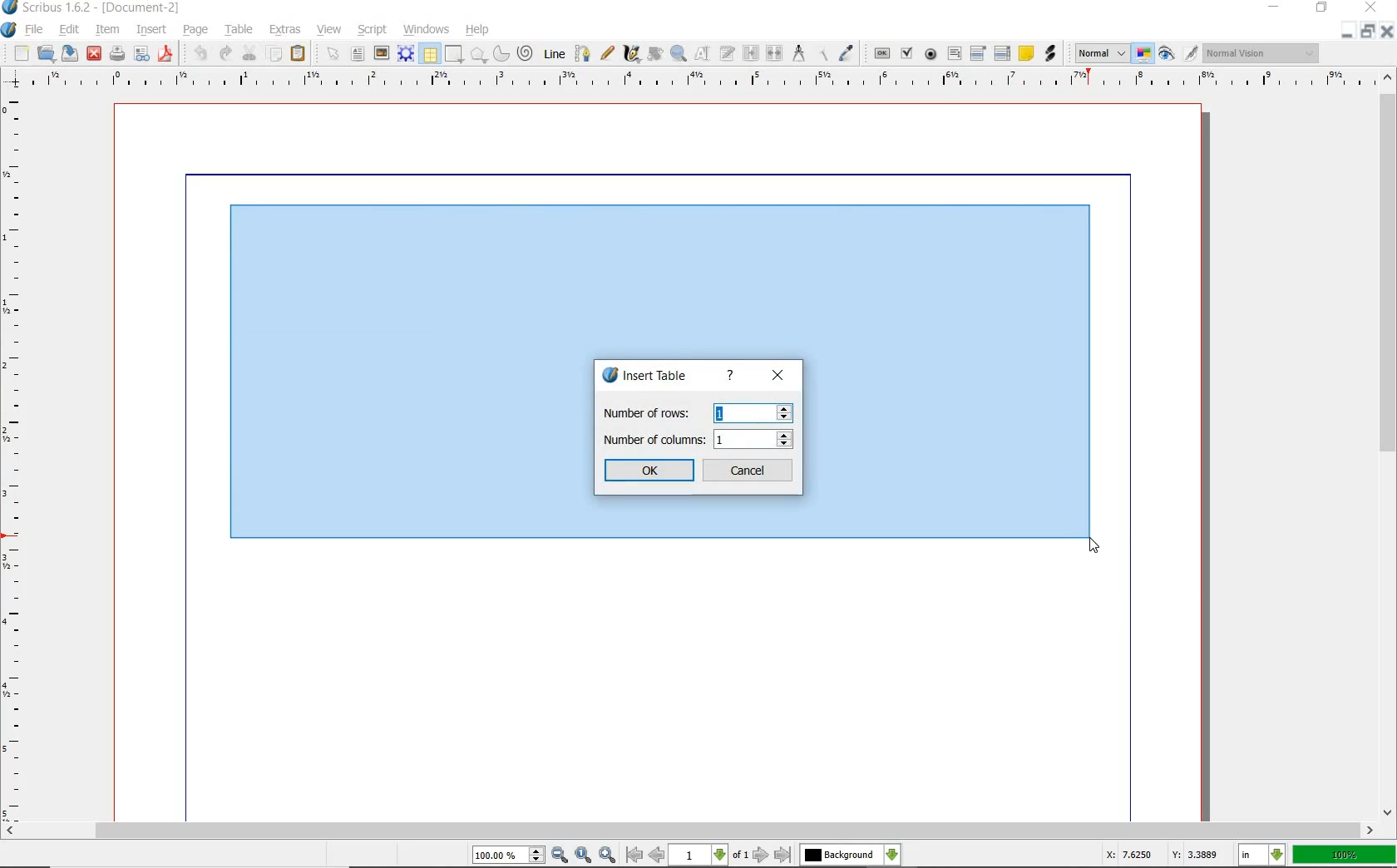 The height and width of the screenshot is (868, 1397). What do you see at coordinates (165, 54) in the screenshot?
I see `safe as pdf` at bounding box center [165, 54].